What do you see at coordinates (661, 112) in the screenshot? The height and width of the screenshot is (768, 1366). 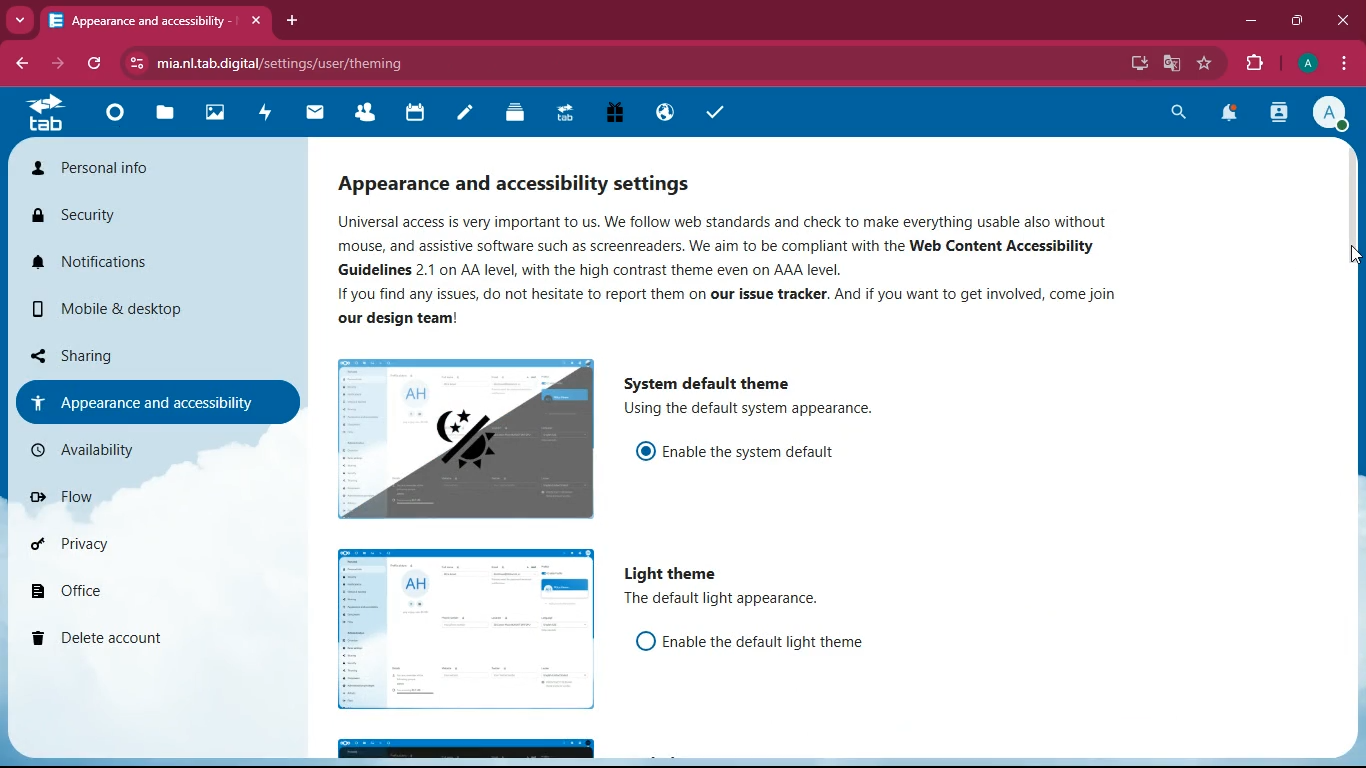 I see `public` at bounding box center [661, 112].